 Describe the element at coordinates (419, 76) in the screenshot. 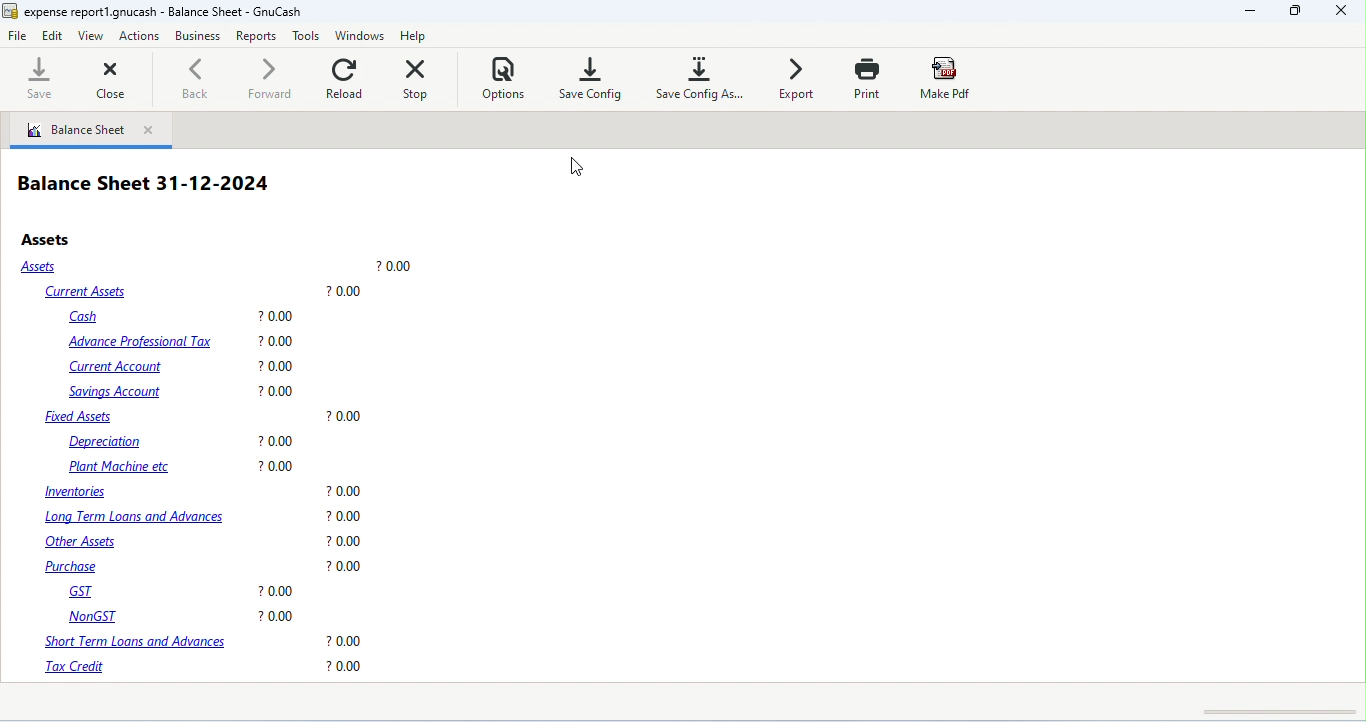

I see `stop` at that location.